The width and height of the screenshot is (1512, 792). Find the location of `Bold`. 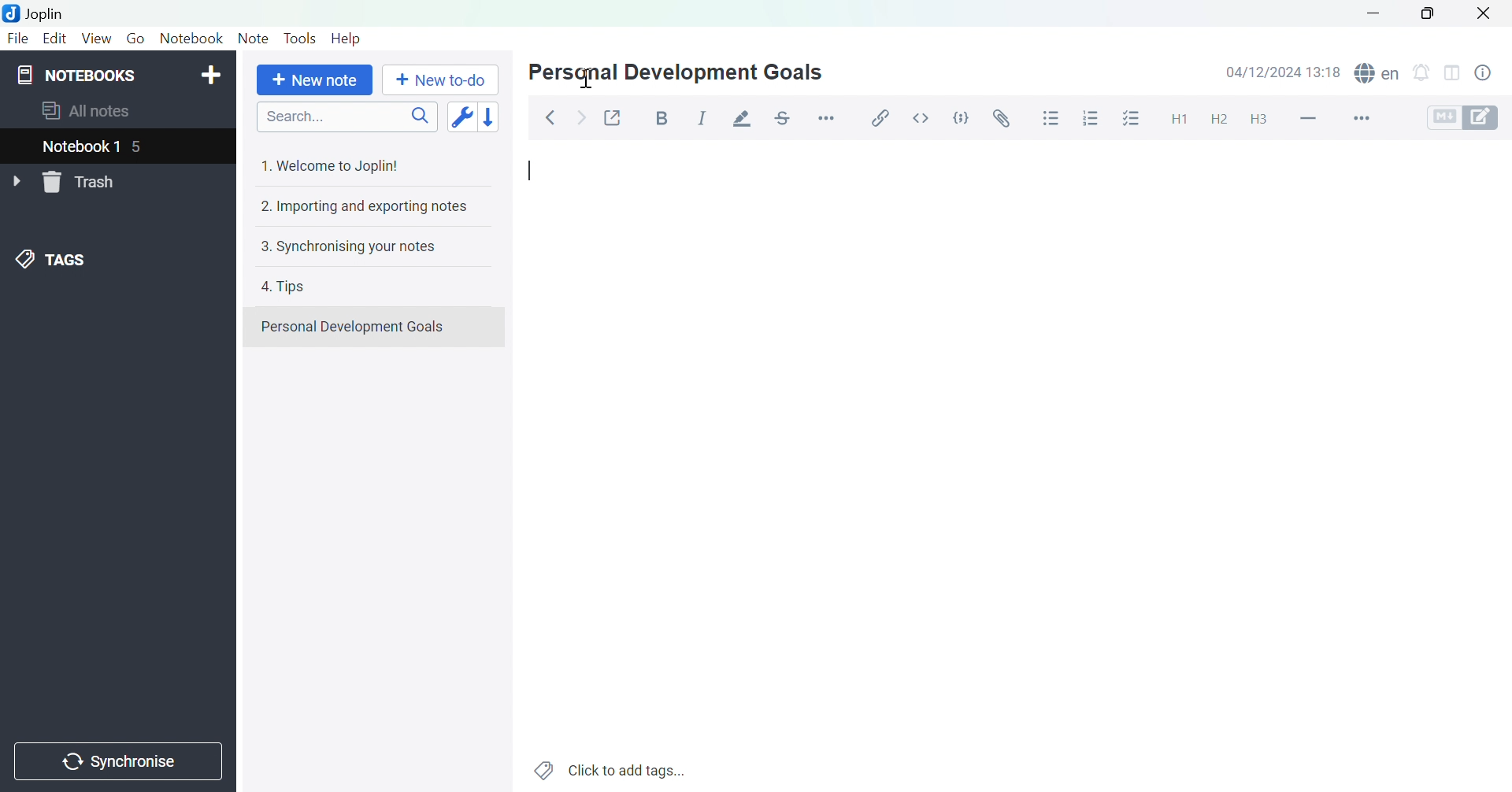

Bold is located at coordinates (661, 119).